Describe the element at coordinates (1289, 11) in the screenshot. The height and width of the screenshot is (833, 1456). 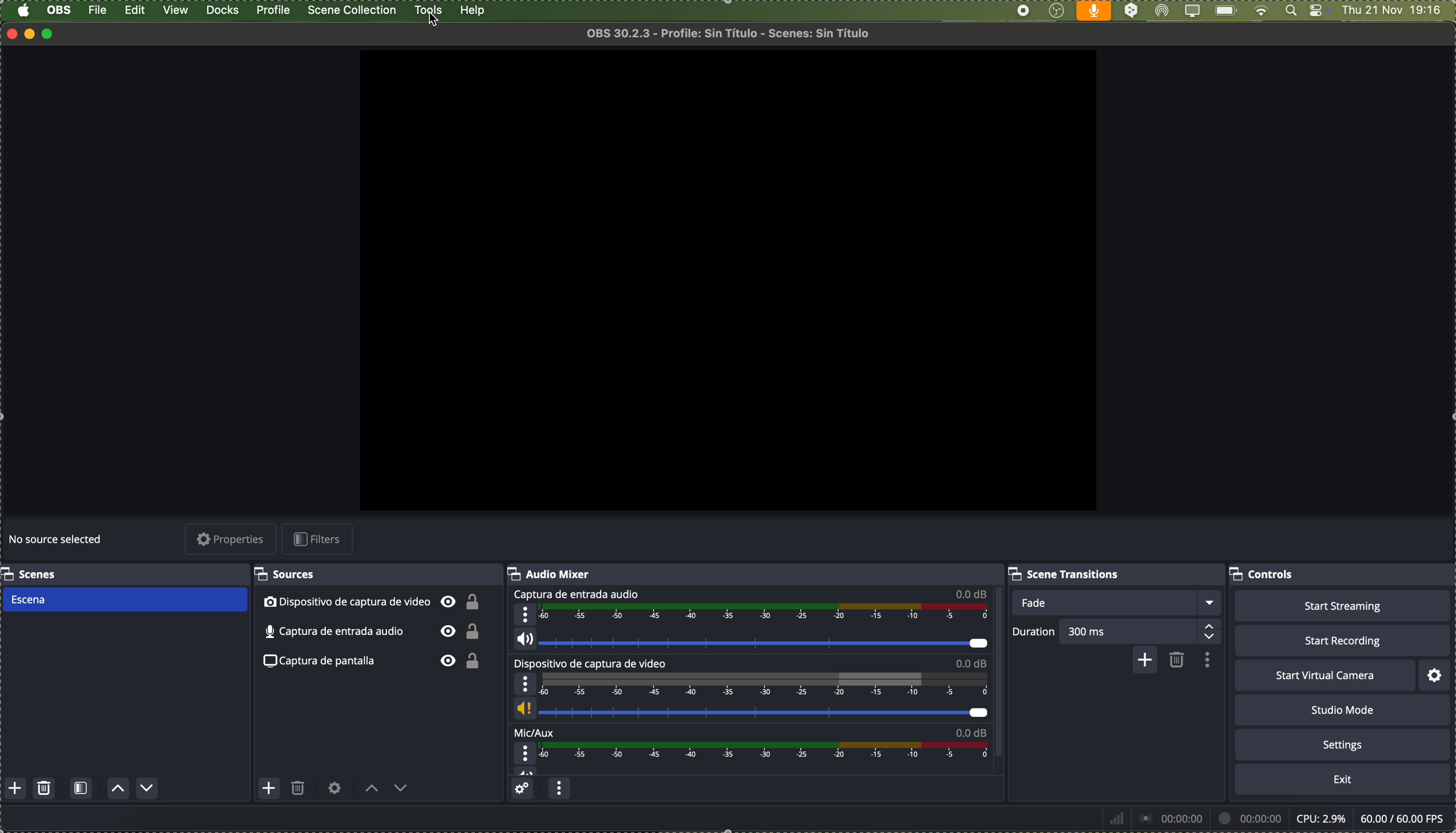
I see `Spotlight search` at that location.